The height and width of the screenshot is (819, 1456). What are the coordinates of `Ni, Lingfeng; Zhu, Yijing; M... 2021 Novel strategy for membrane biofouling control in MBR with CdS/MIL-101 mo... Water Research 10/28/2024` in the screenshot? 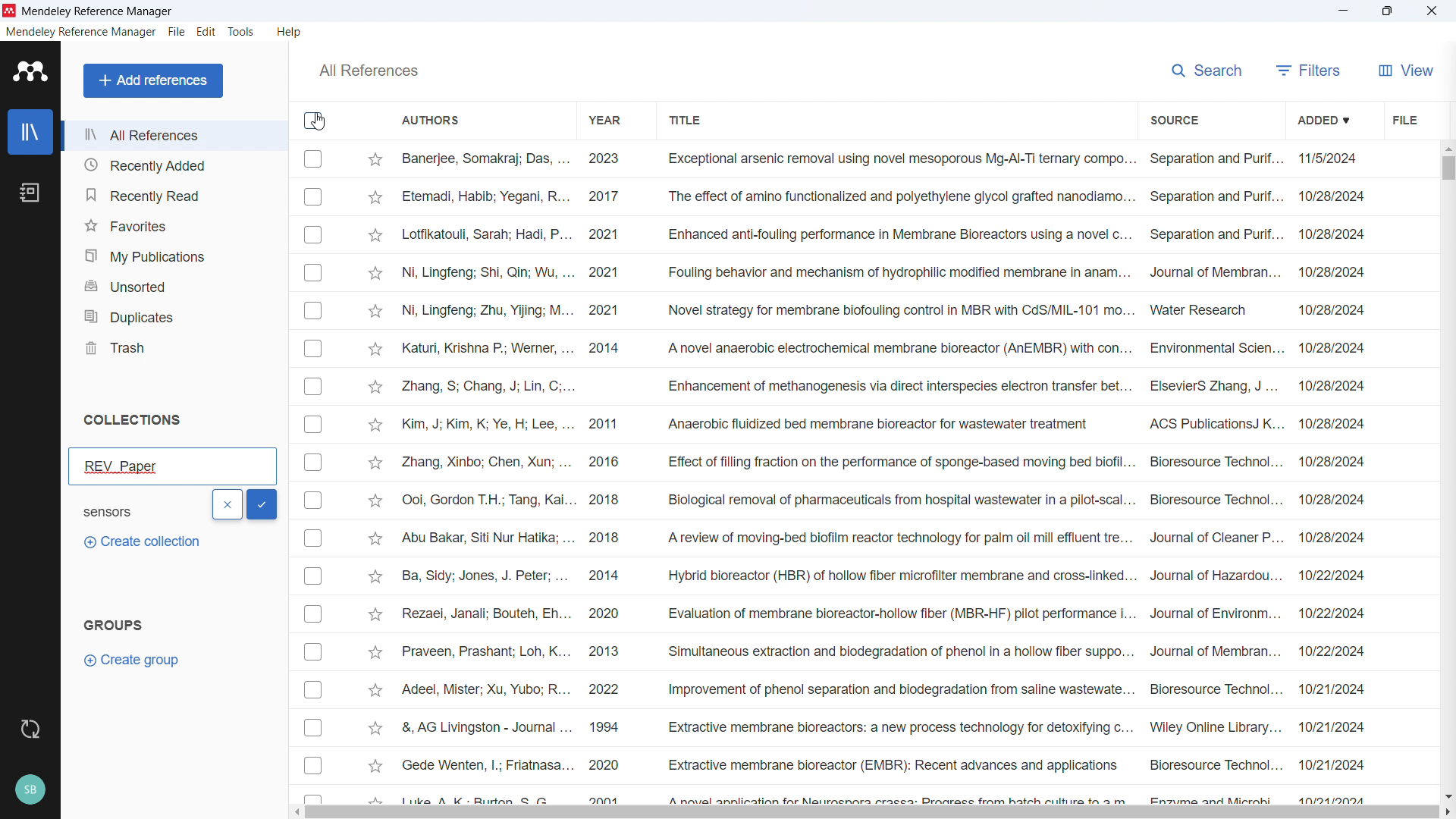 It's located at (885, 310).